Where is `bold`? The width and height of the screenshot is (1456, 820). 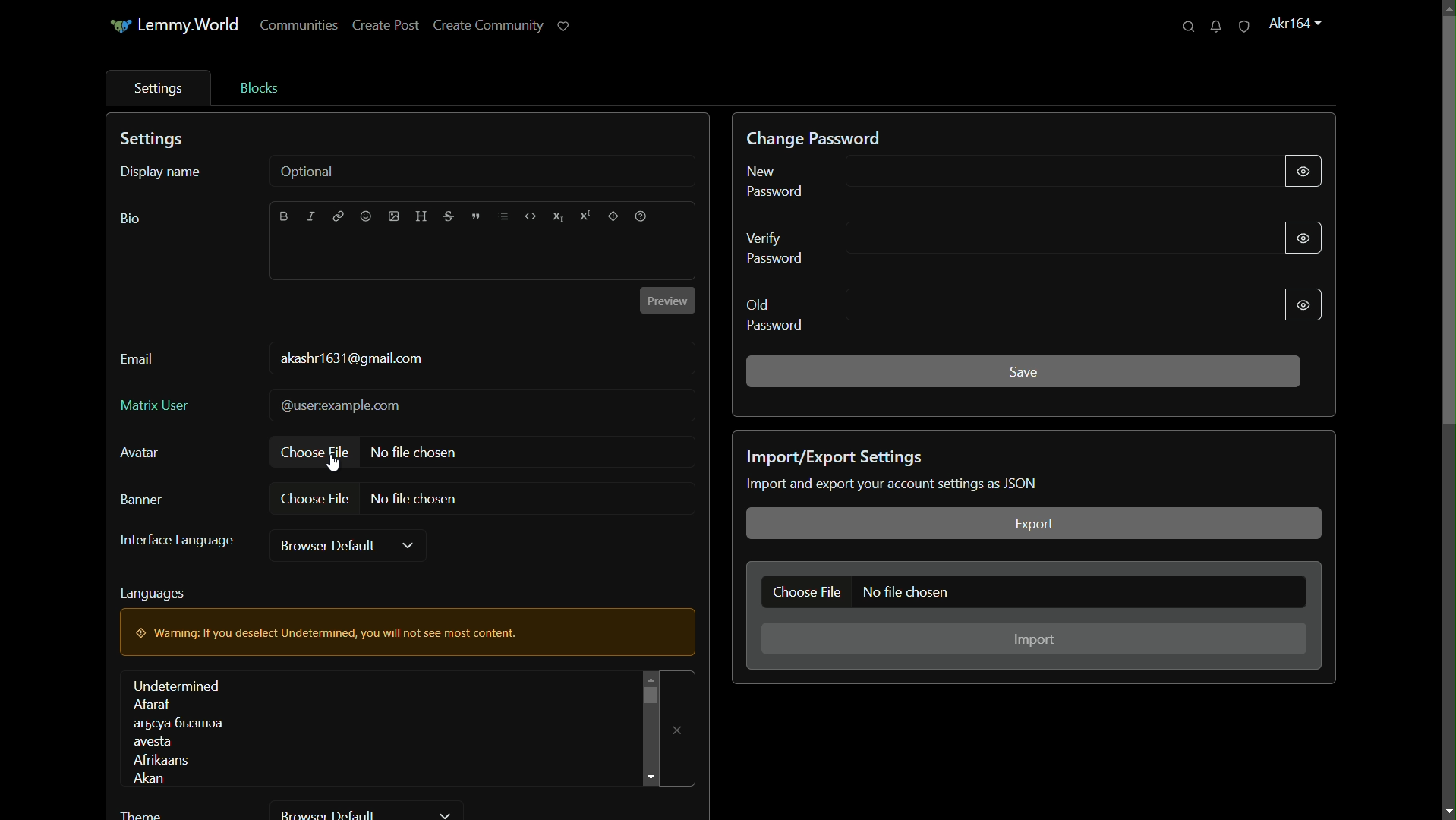 bold is located at coordinates (285, 216).